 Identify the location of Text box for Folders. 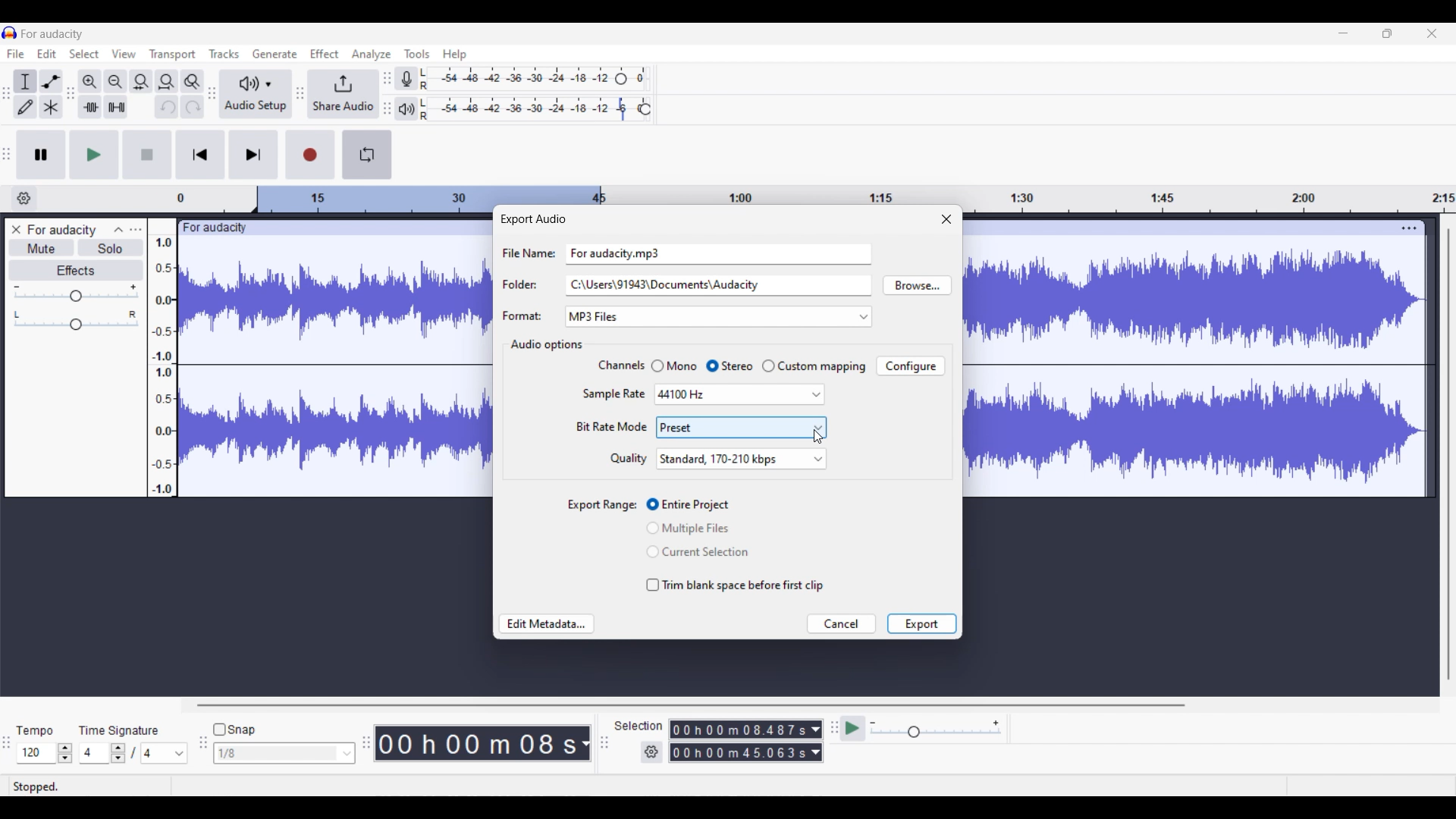
(717, 284).